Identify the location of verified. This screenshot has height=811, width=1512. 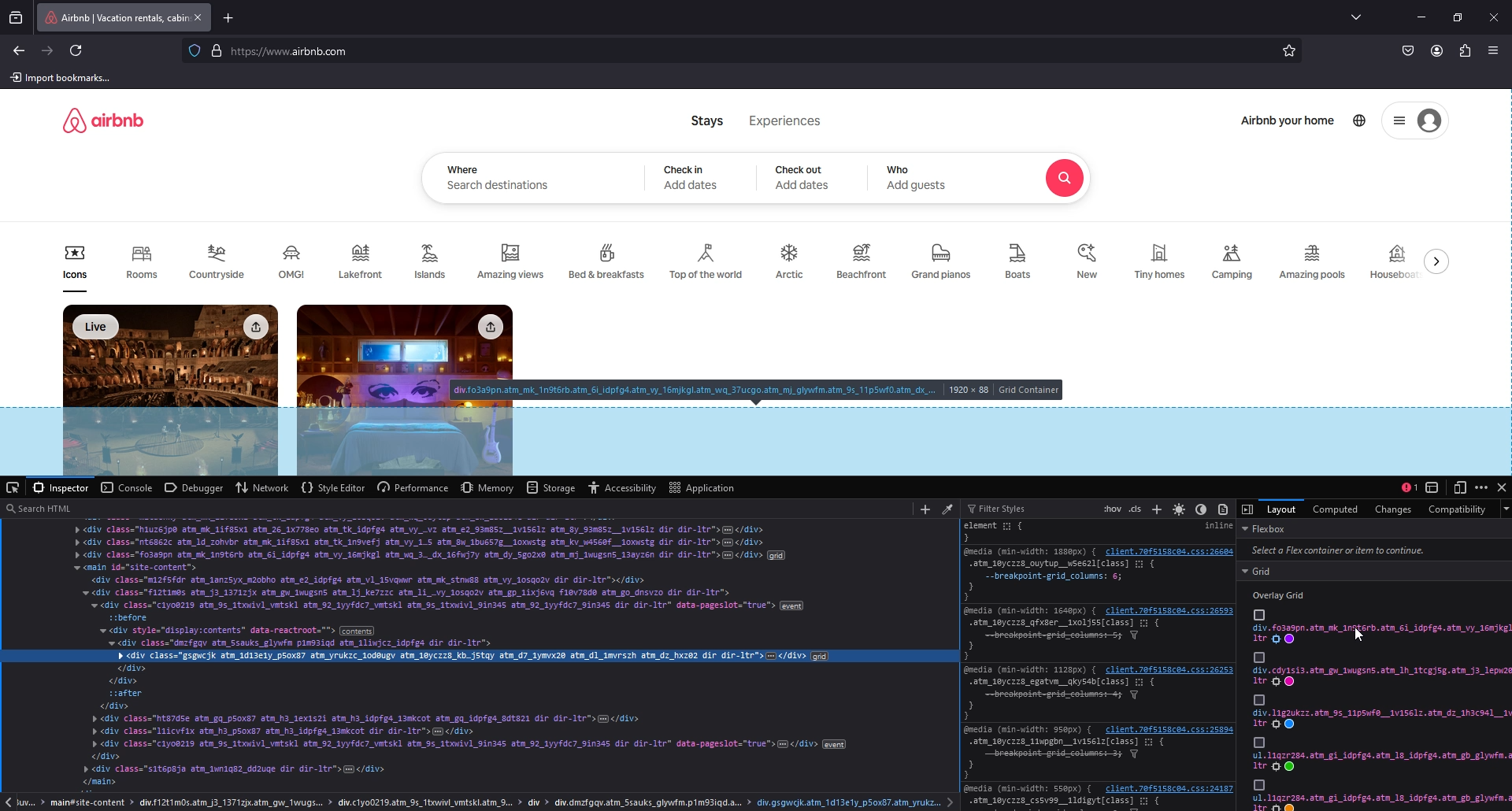
(219, 50).